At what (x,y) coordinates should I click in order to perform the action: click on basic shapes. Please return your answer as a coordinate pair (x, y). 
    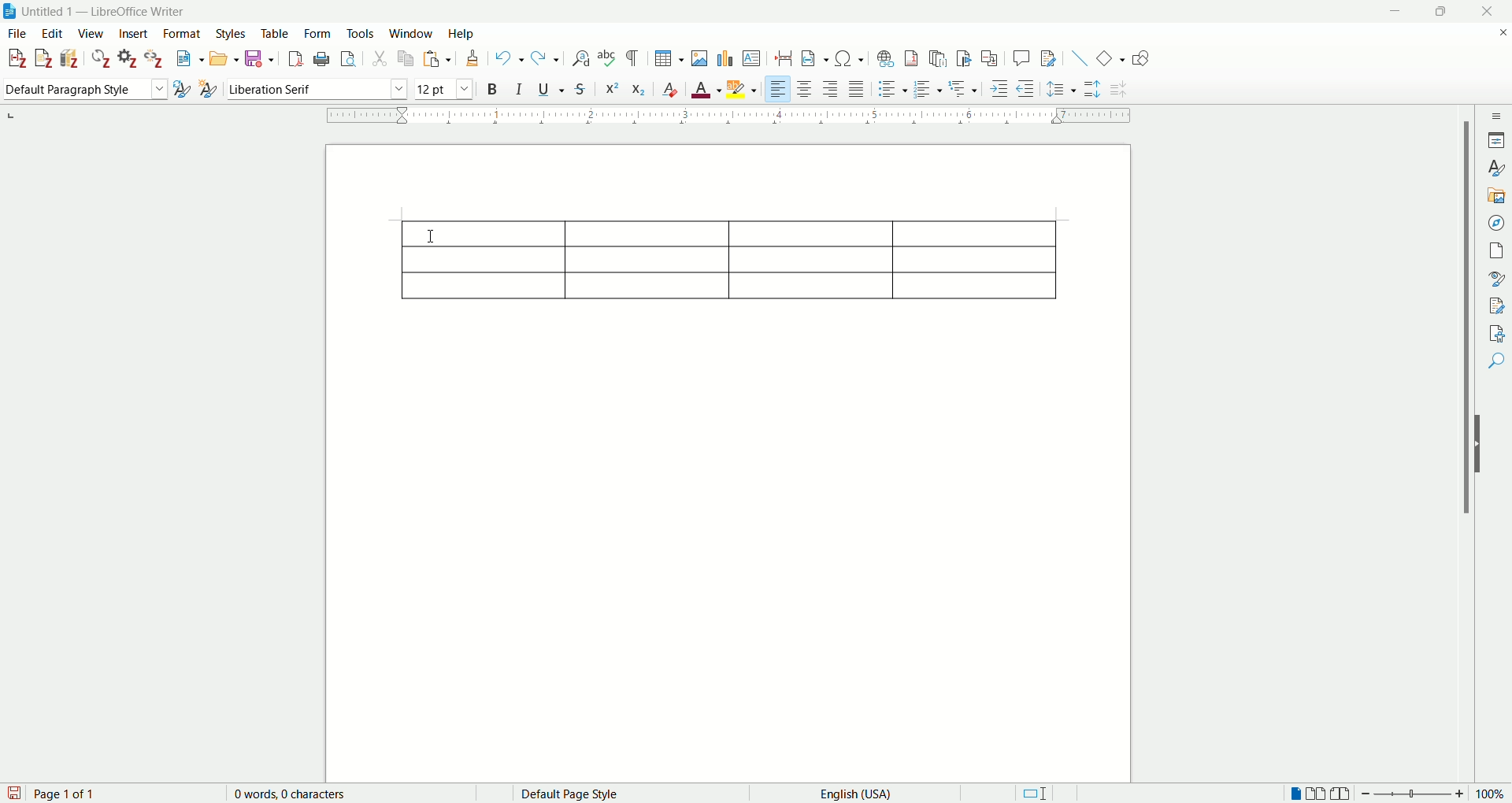
    Looking at the image, I should click on (1112, 58).